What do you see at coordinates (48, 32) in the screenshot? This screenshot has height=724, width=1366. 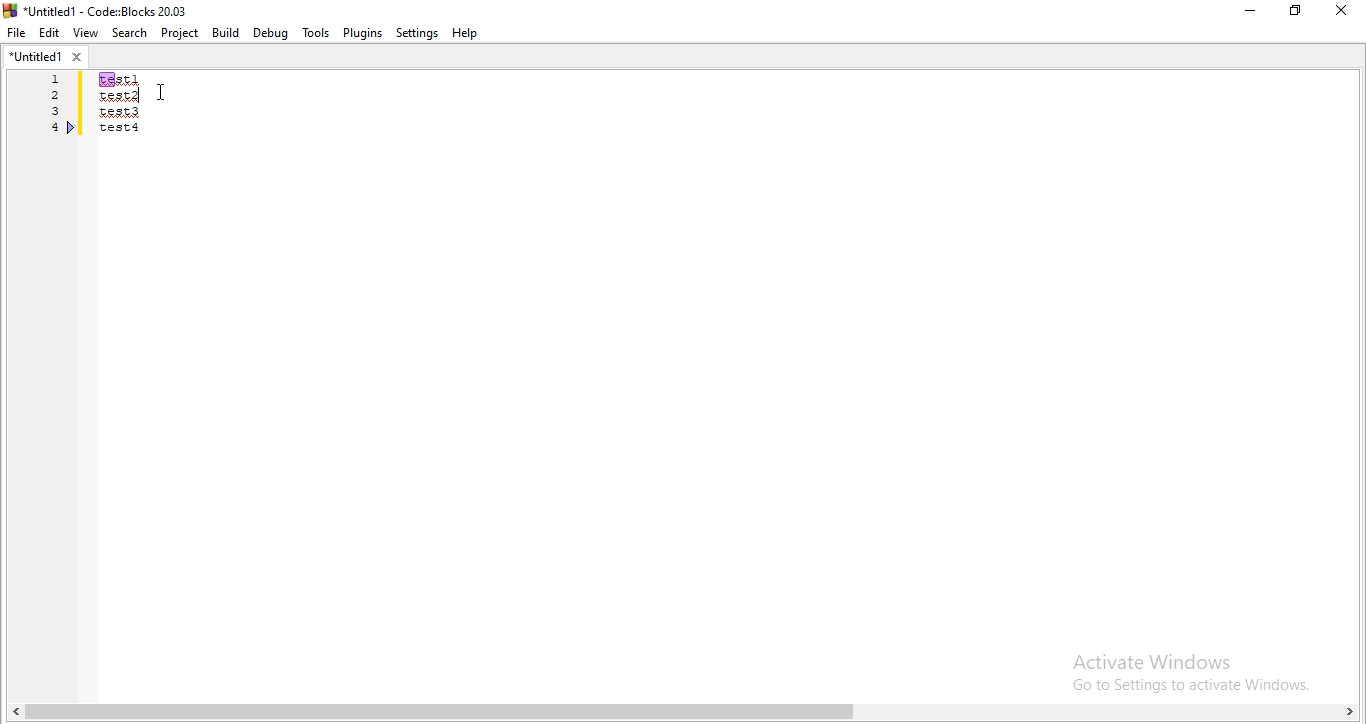 I see `Edit ` at bounding box center [48, 32].